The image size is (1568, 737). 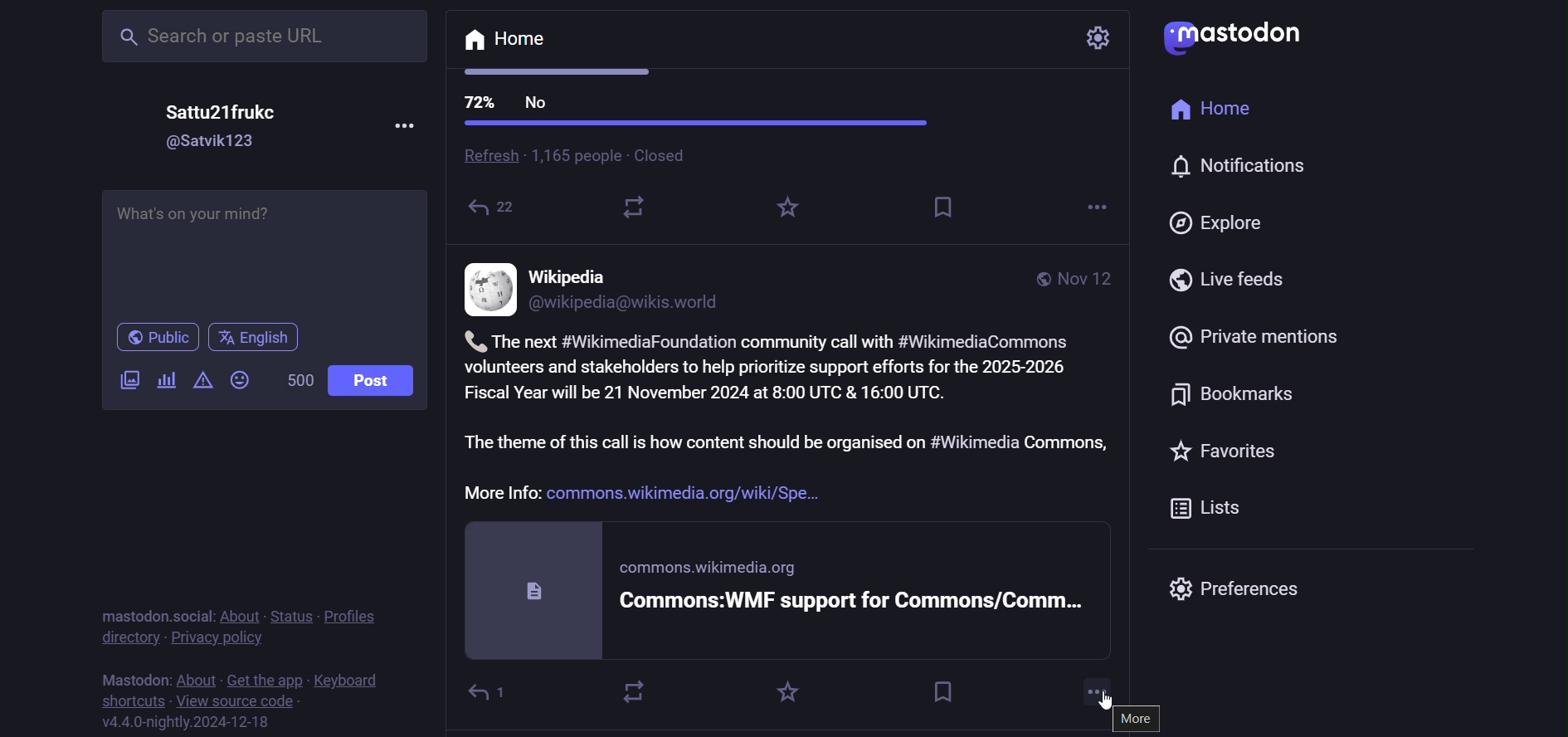 I want to click on preferences, so click(x=1237, y=586).